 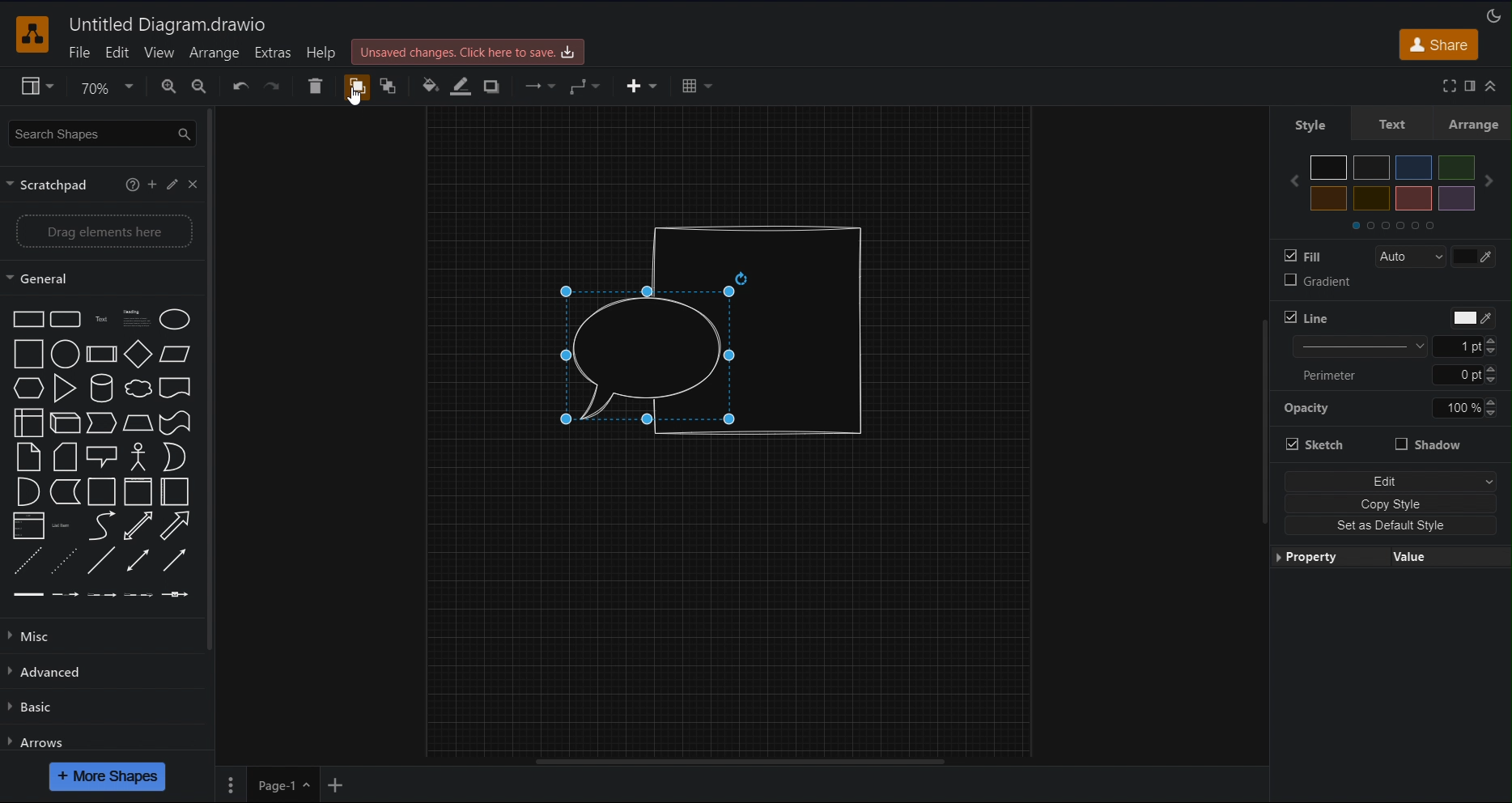 I want to click on Vertical slide bar for sidebar, so click(x=209, y=380).